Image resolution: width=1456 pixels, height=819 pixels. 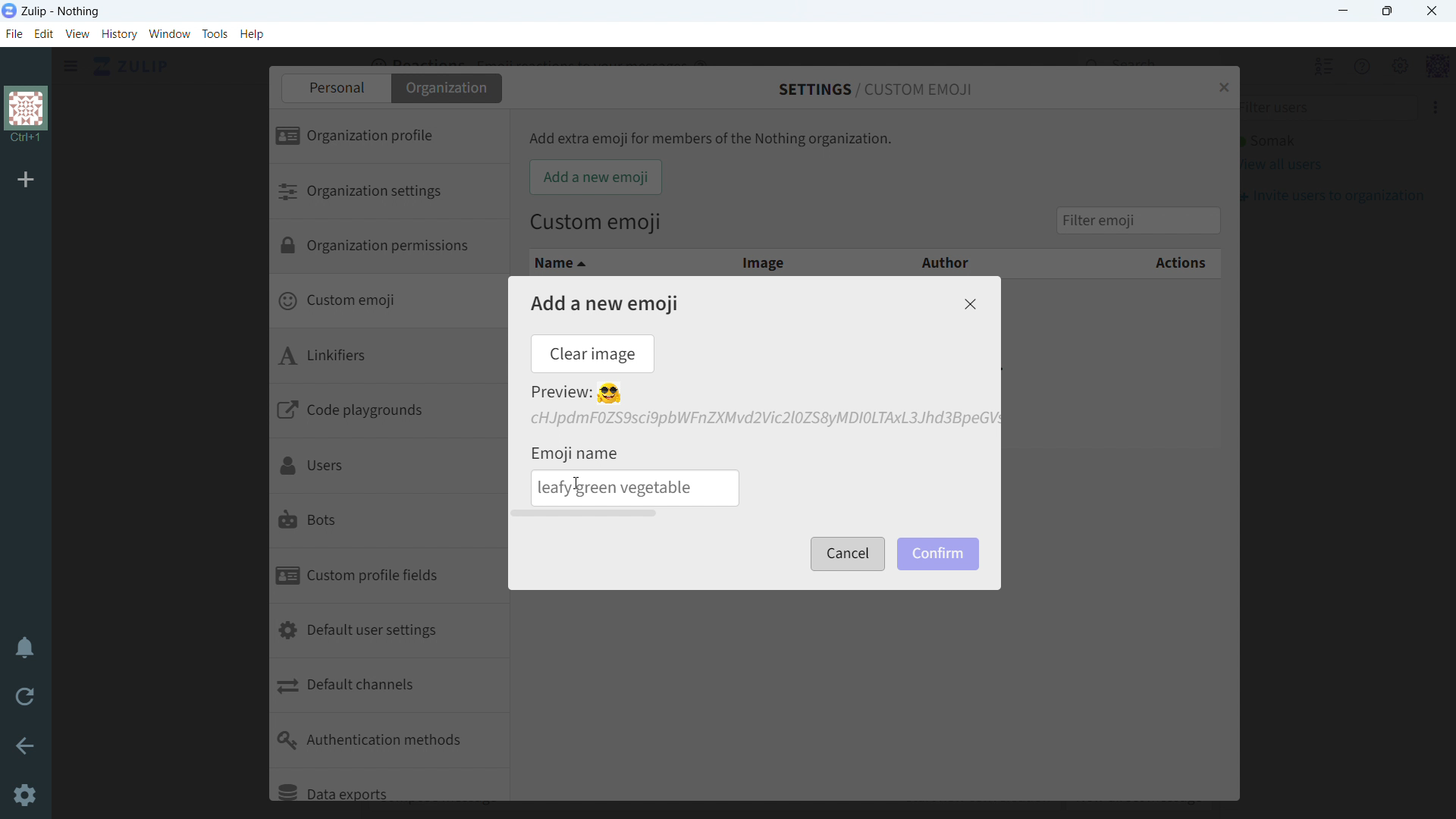 I want to click on users, so click(x=385, y=467).